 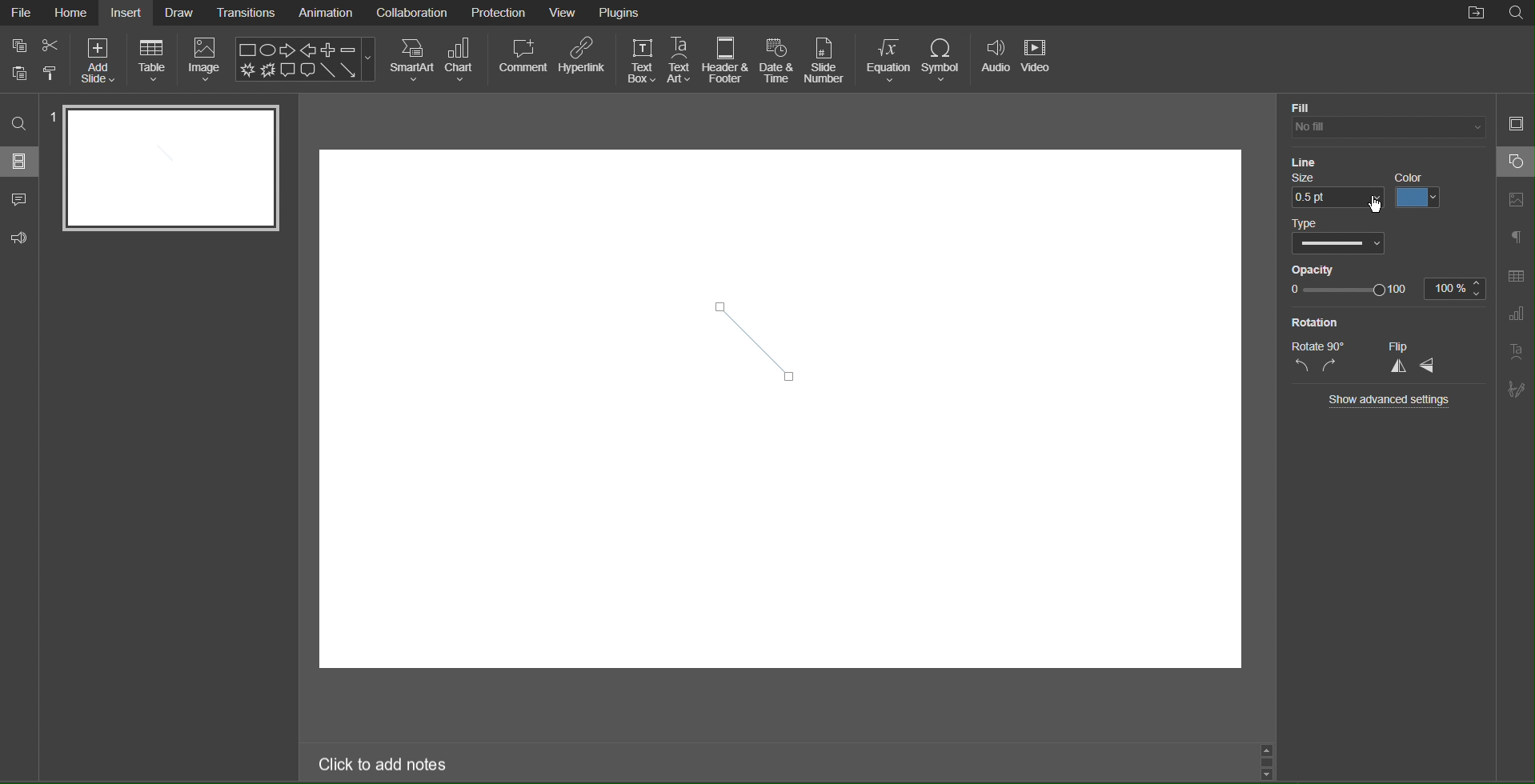 I want to click on Opacity, so click(x=1311, y=268).